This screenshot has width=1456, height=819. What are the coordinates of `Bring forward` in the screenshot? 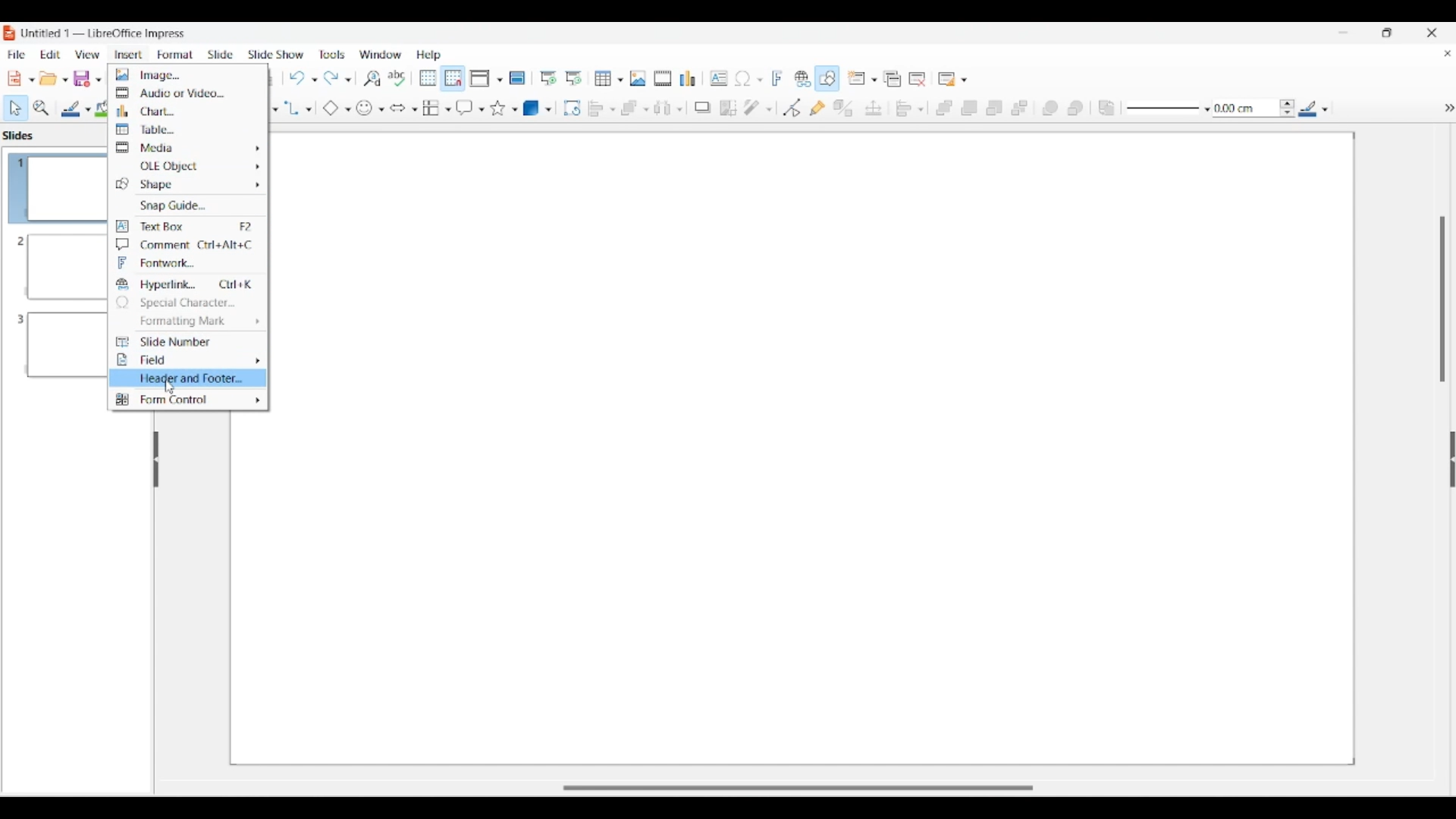 It's located at (970, 108).